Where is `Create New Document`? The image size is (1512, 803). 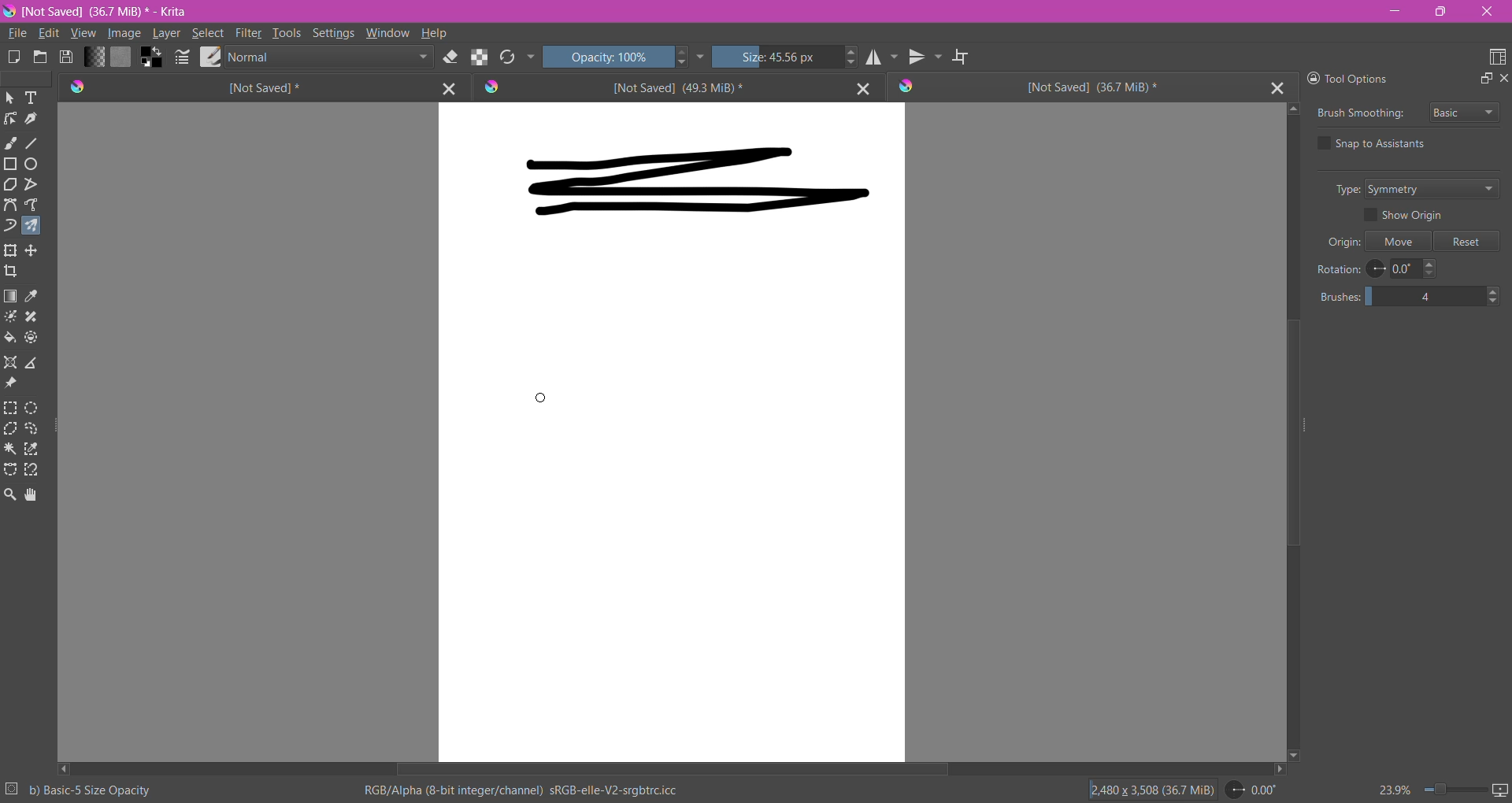
Create New Document is located at coordinates (13, 59).